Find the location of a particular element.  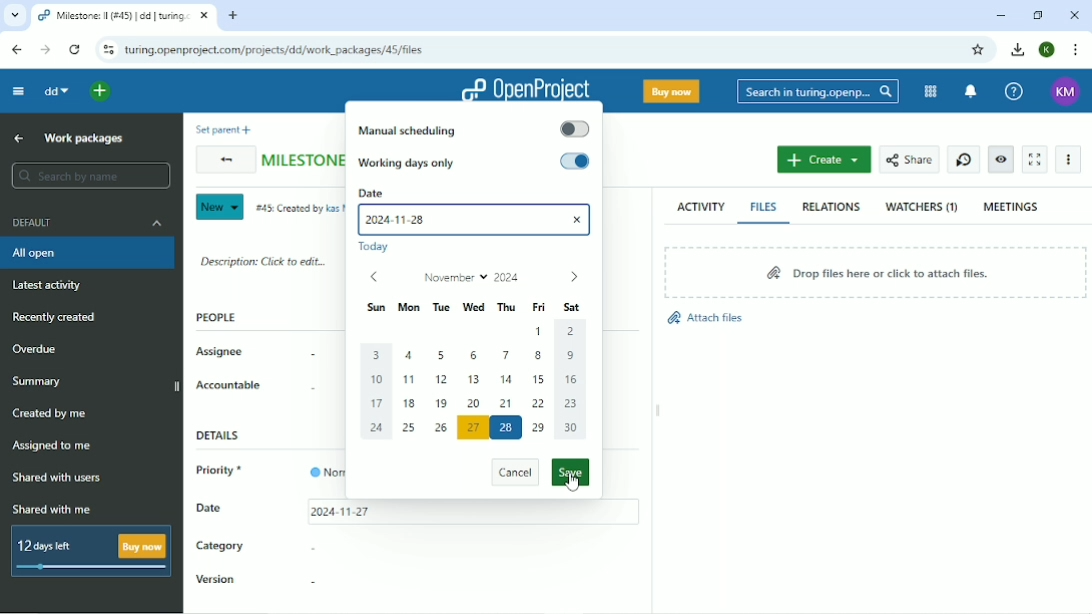

- is located at coordinates (310, 547).